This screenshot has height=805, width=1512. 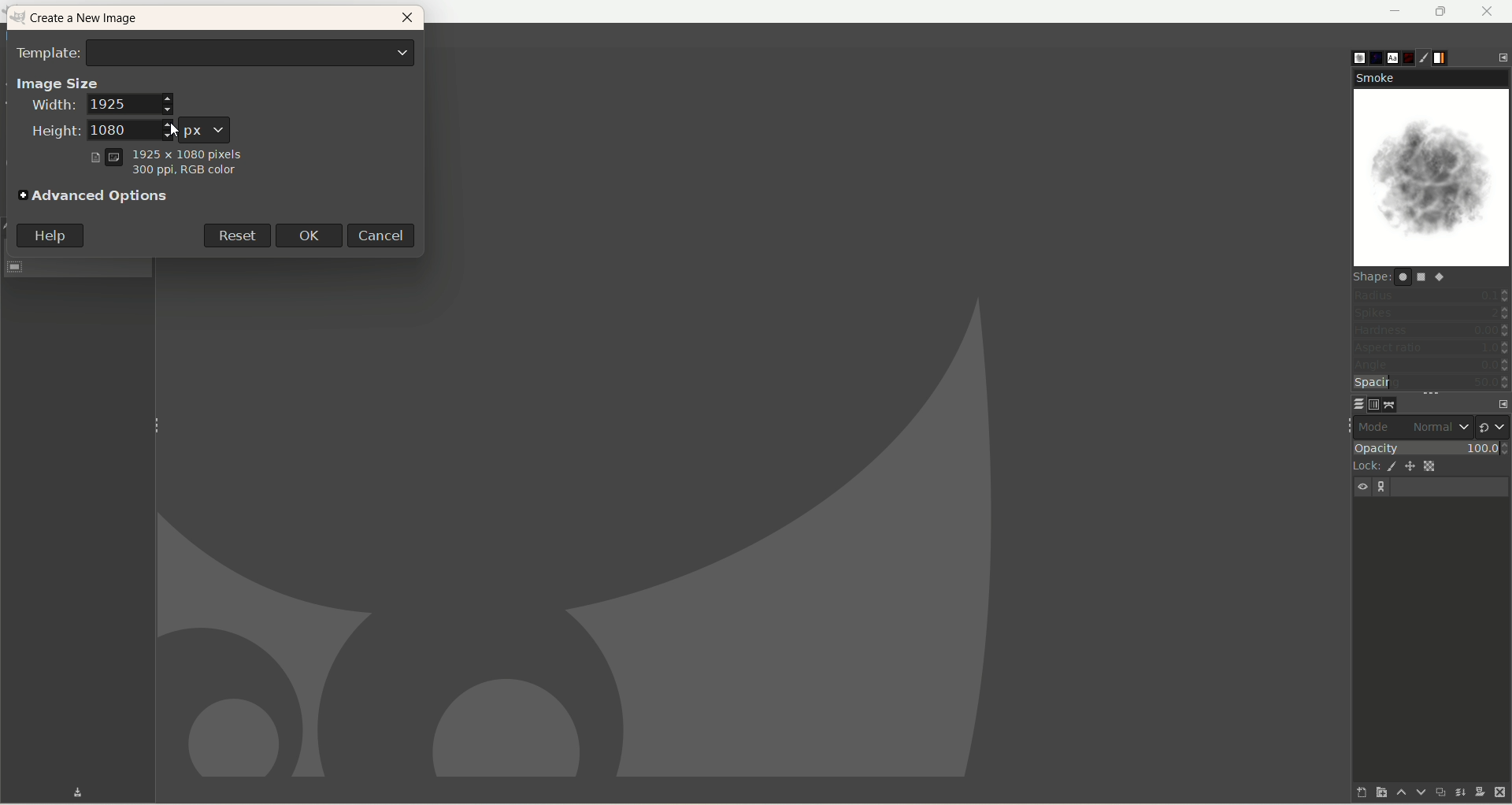 What do you see at coordinates (1431, 58) in the screenshot?
I see `brush editor` at bounding box center [1431, 58].